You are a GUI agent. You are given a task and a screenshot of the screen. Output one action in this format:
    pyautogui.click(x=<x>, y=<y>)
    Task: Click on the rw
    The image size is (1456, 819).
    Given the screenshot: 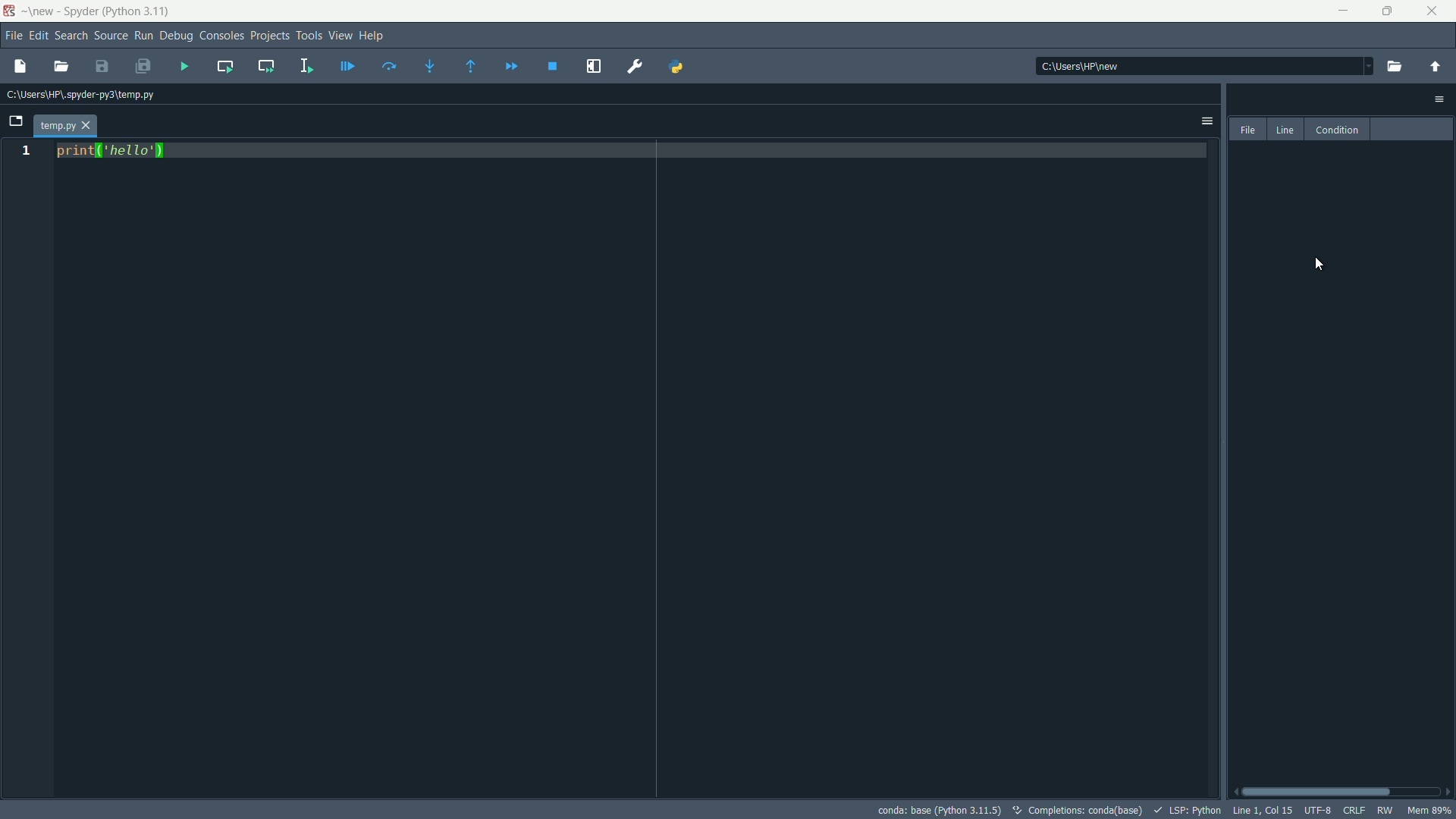 What is the action you would take?
    pyautogui.click(x=1384, y=810)
    